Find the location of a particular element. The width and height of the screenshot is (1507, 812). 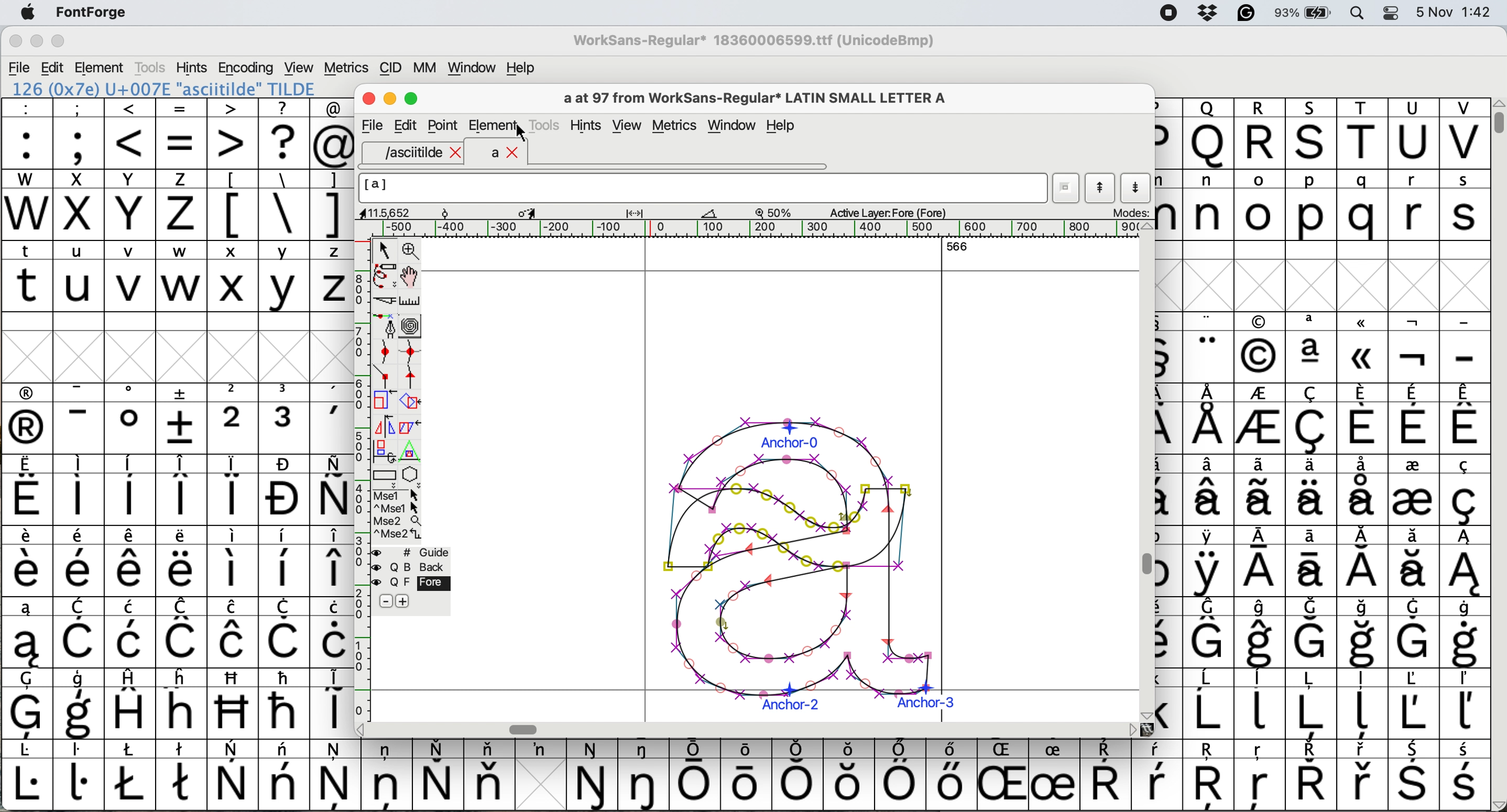

symbol is located at coordinates (183, 773).